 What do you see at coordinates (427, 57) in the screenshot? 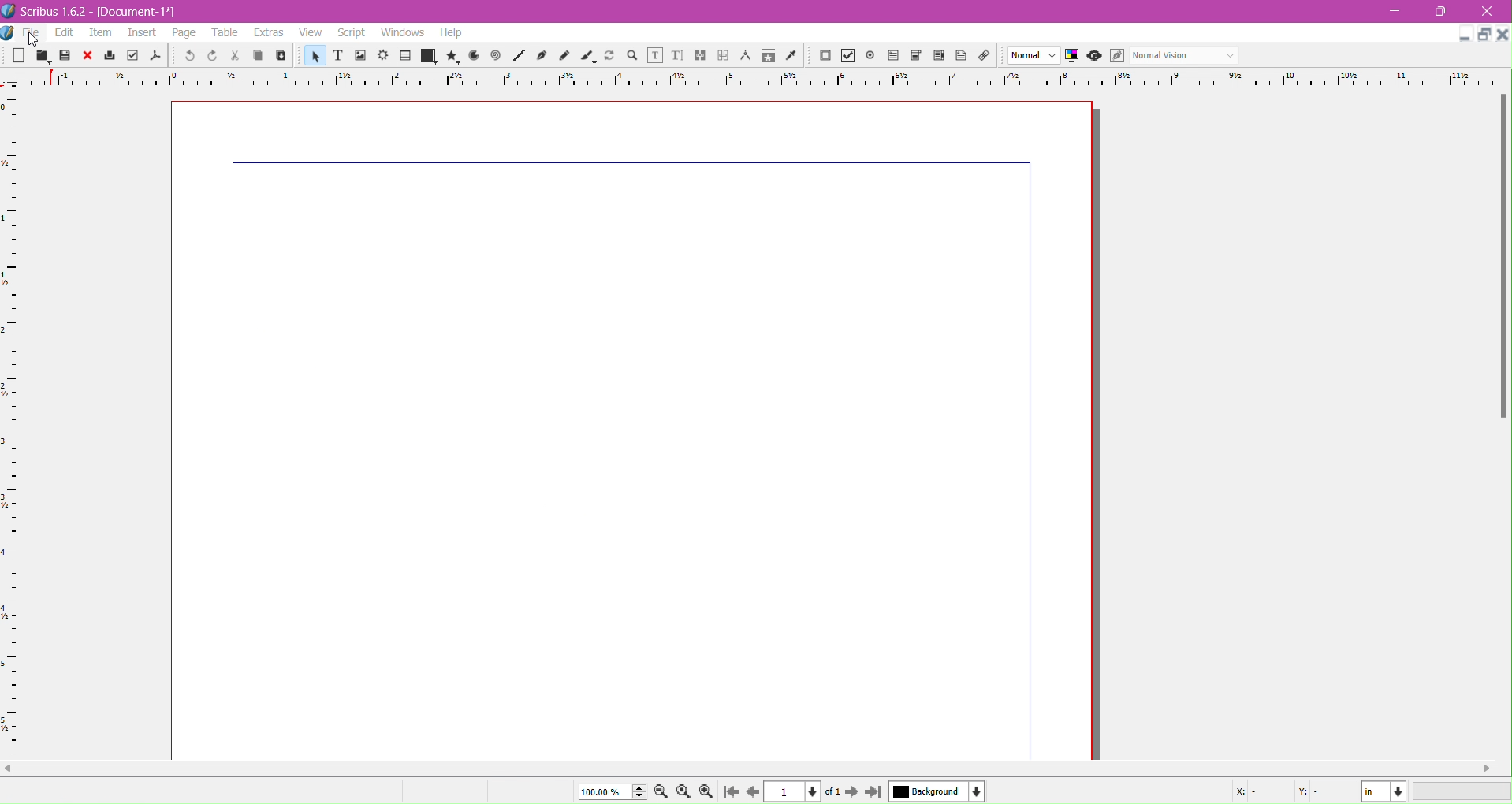
I see `shape` at bounding box center [427, 57].